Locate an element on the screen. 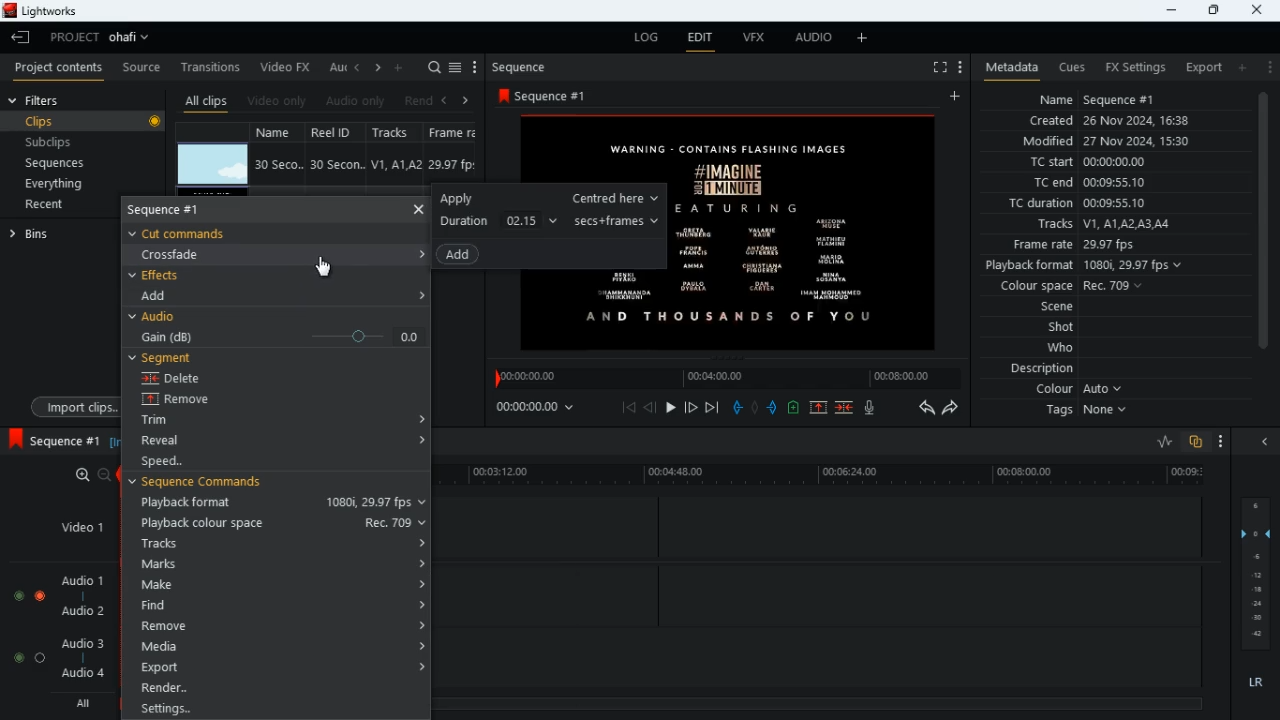  modified is located at coordinates (1119, 143).